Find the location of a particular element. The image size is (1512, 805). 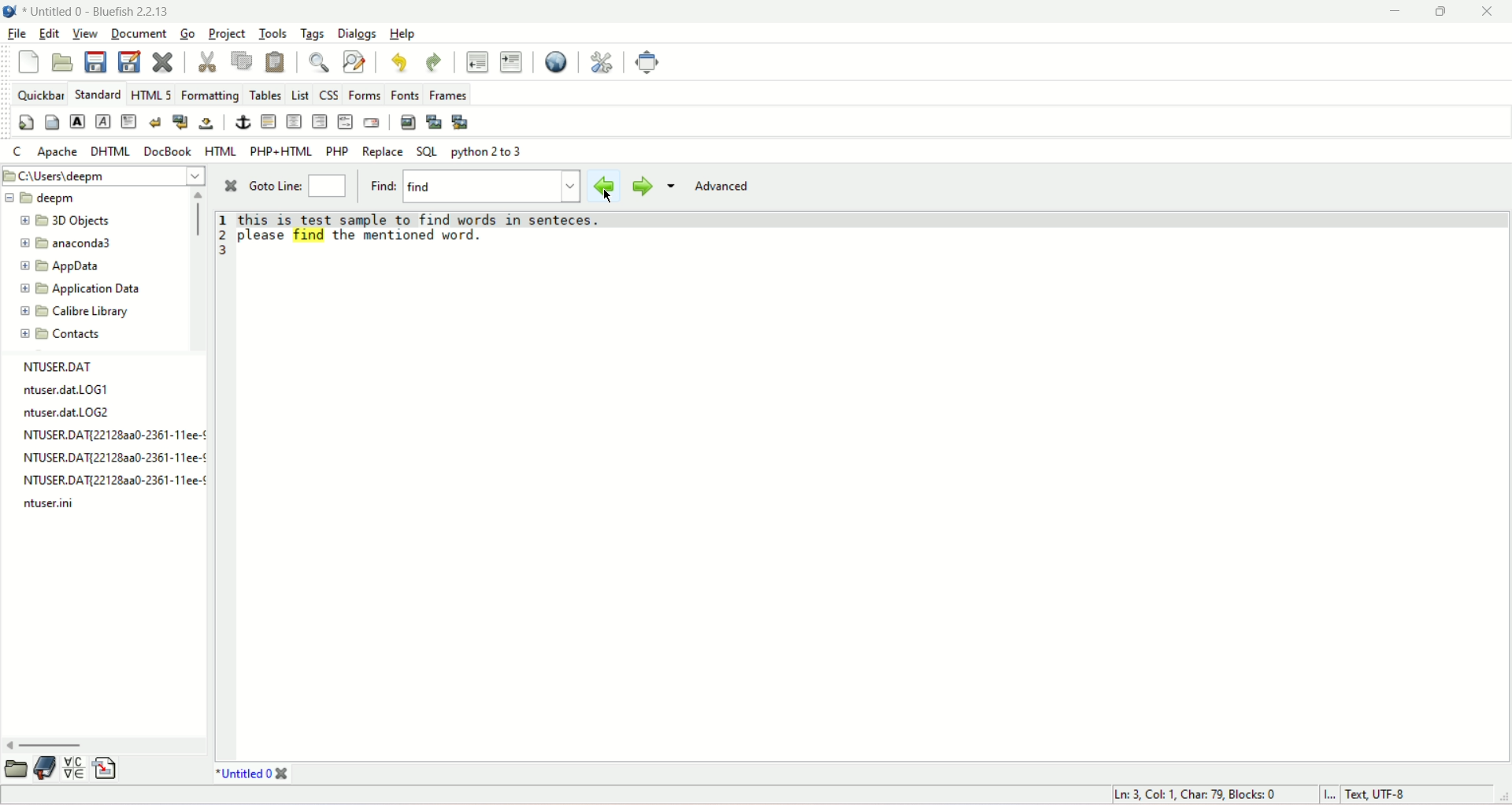

appdata is located at coordinates (64, 267).